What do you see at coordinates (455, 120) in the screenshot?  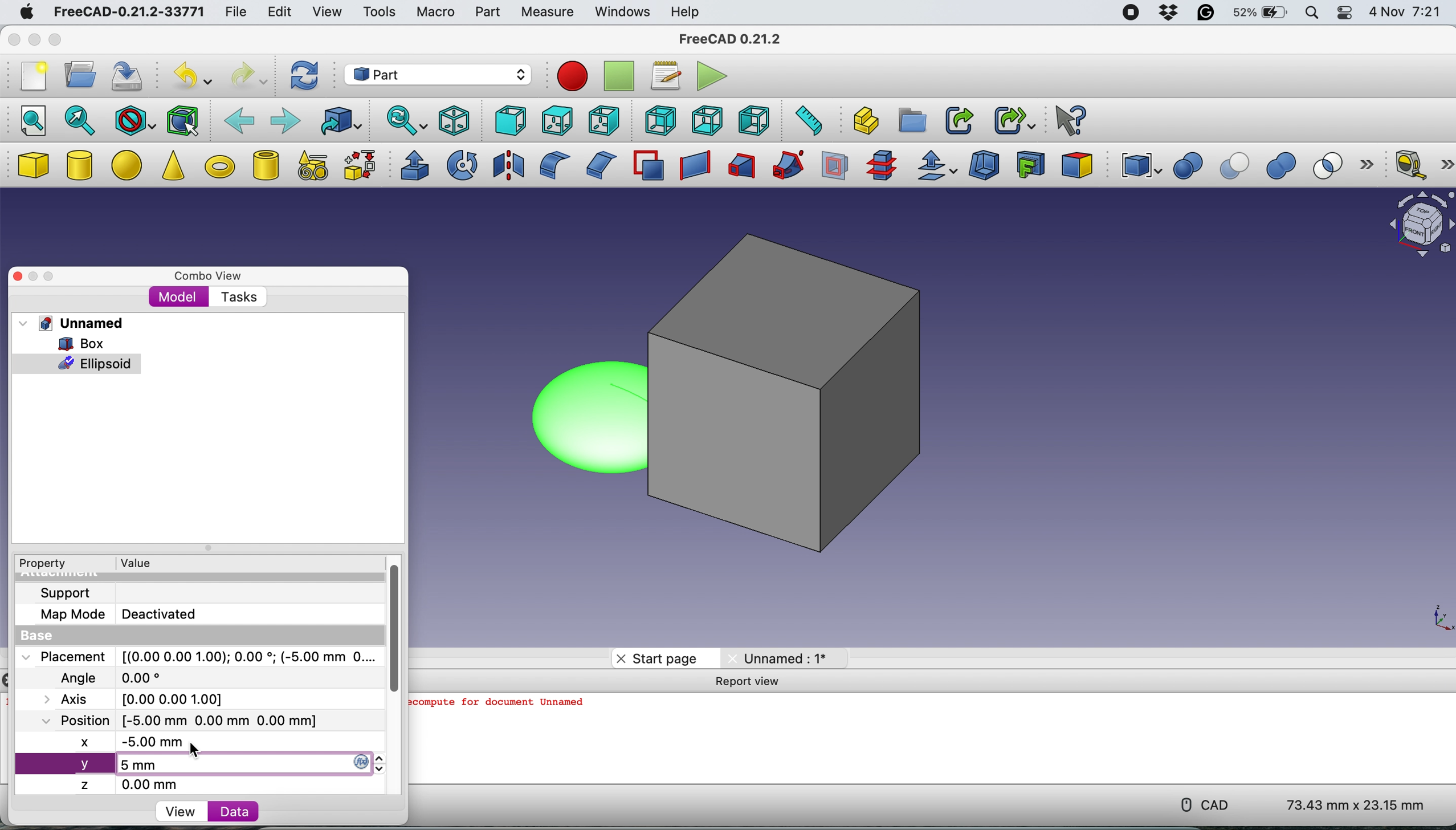 I see `isometric view` at bounding box center [455, 120].